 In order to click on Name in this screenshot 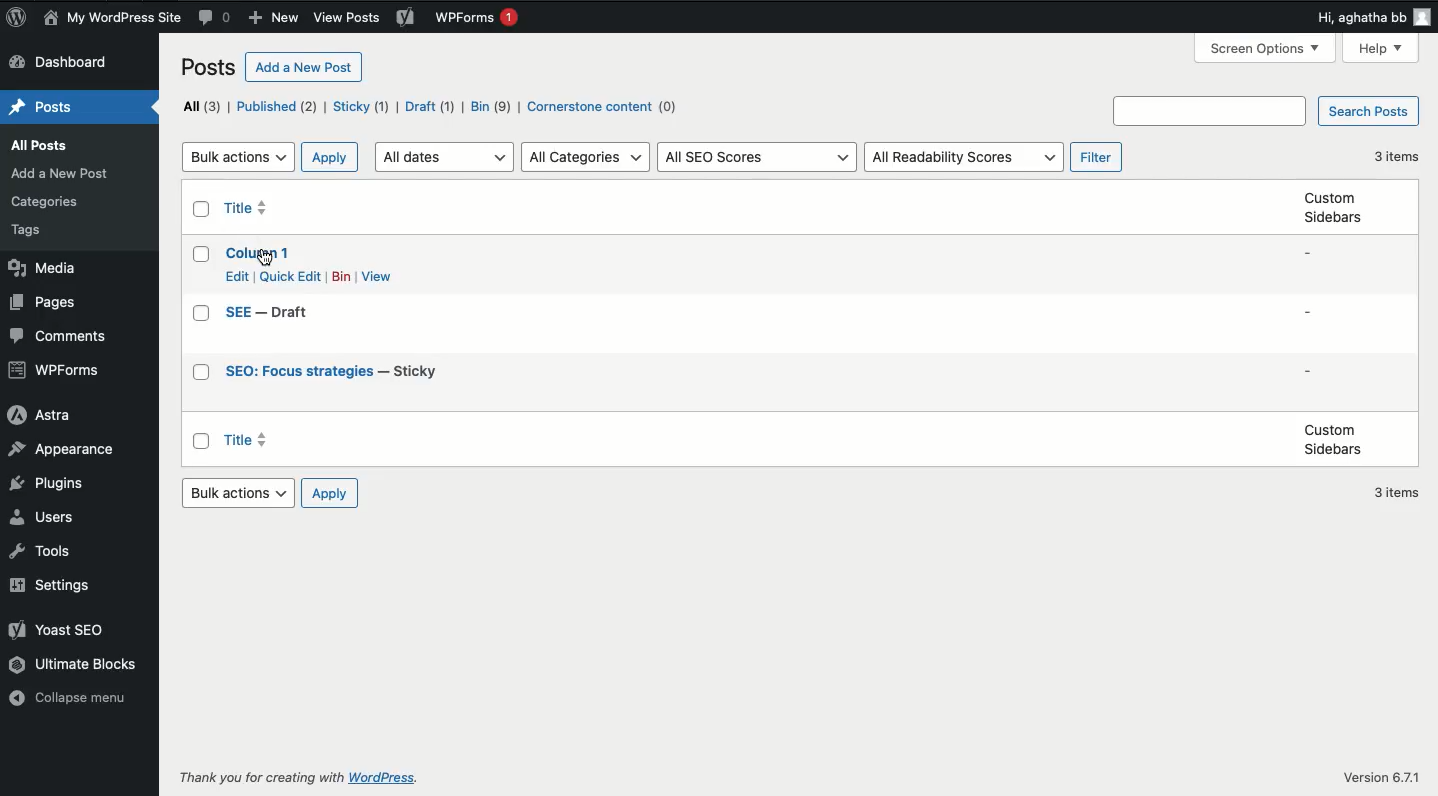, I will do `click(112, 18)`.